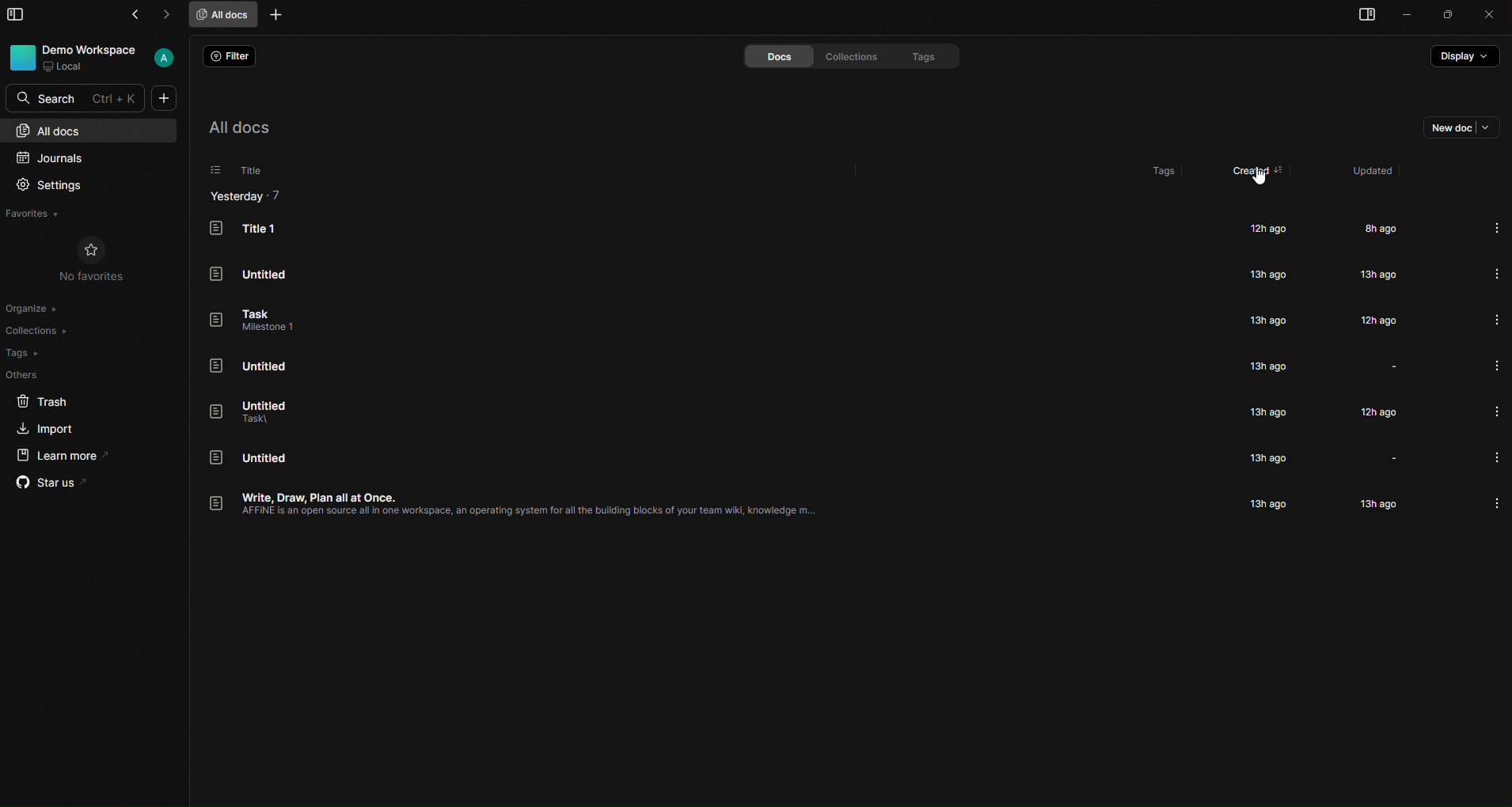 The width and height of the screenshot is (1512, 807). I want to click on created, so click(1259, 172).